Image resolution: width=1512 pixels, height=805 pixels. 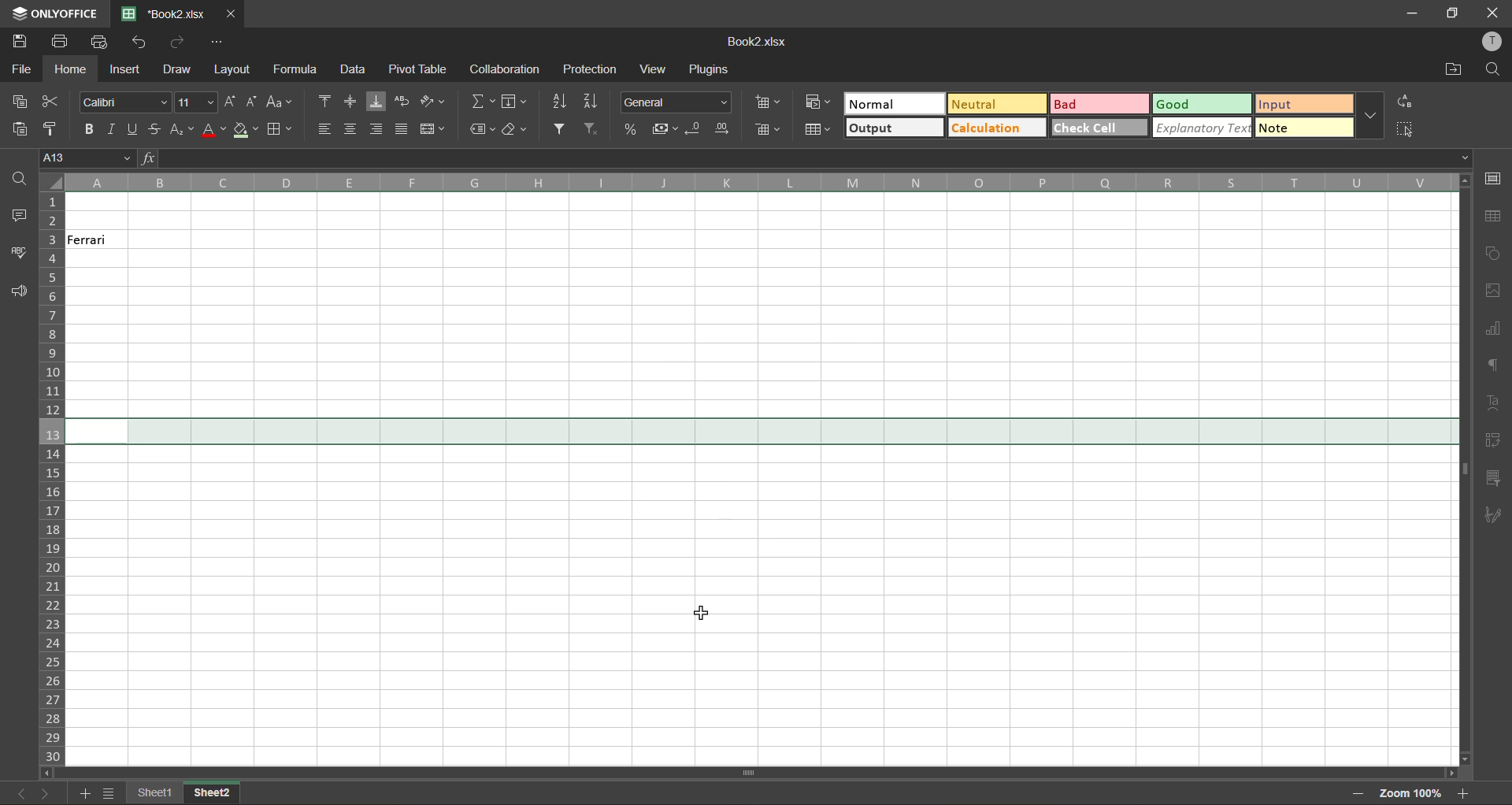 What do you see at coordinates (1495, 331) in the screenshot?
I see `charts` at bounding box center [1495, 331].